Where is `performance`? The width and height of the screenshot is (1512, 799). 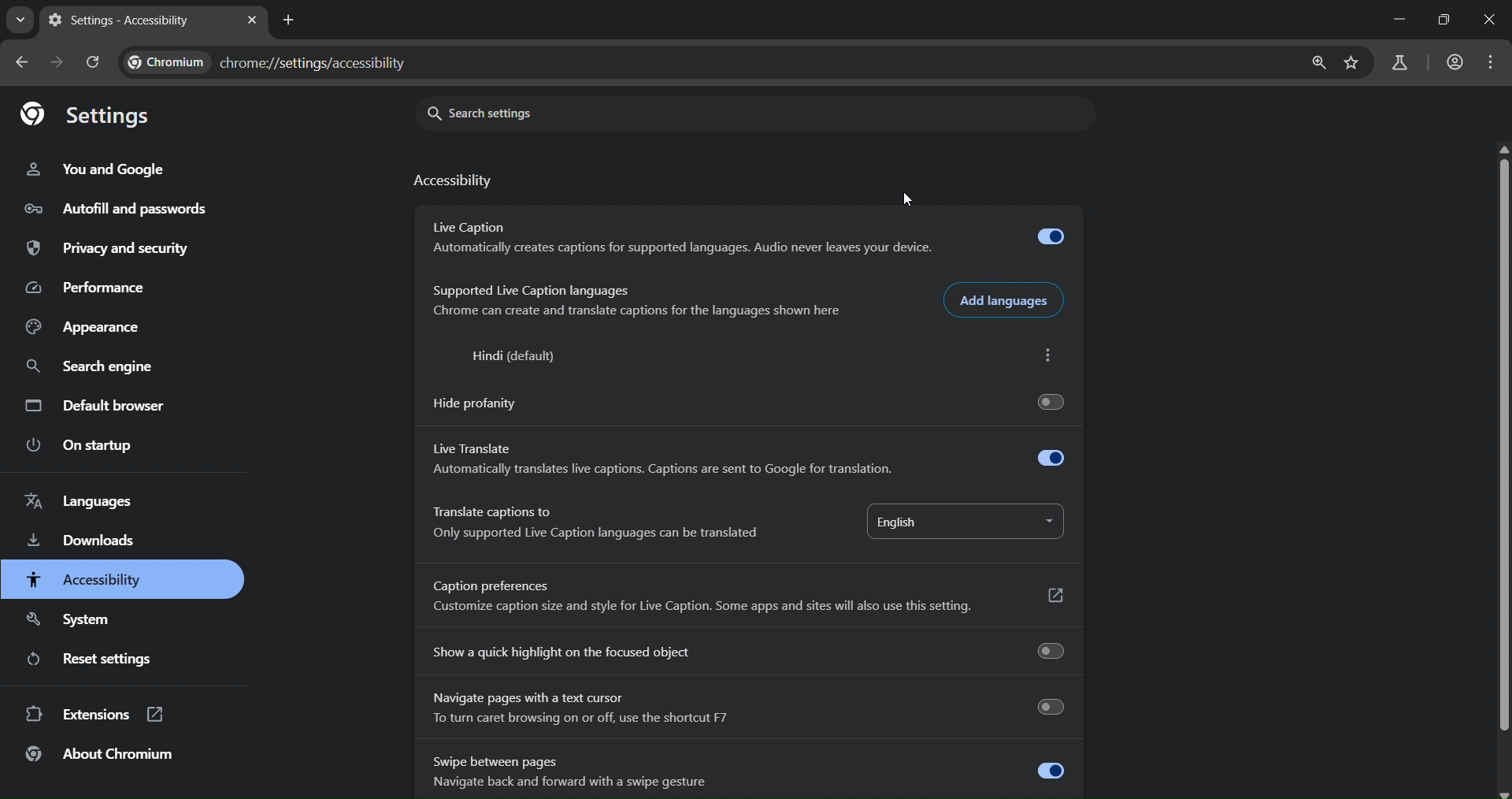
performance is located at coordinates (88, 287).